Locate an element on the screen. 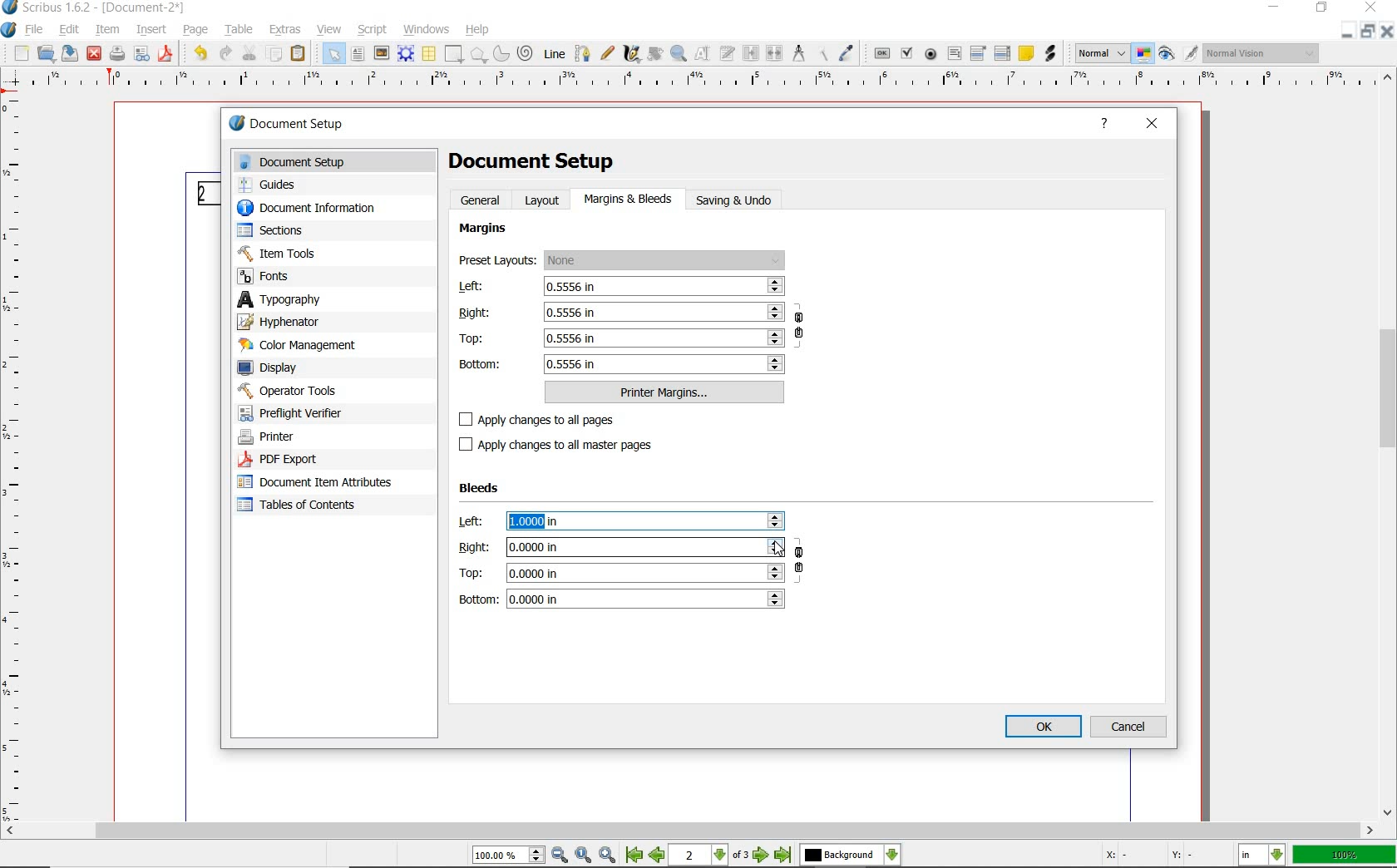  print is located at coordinates (116, 53).